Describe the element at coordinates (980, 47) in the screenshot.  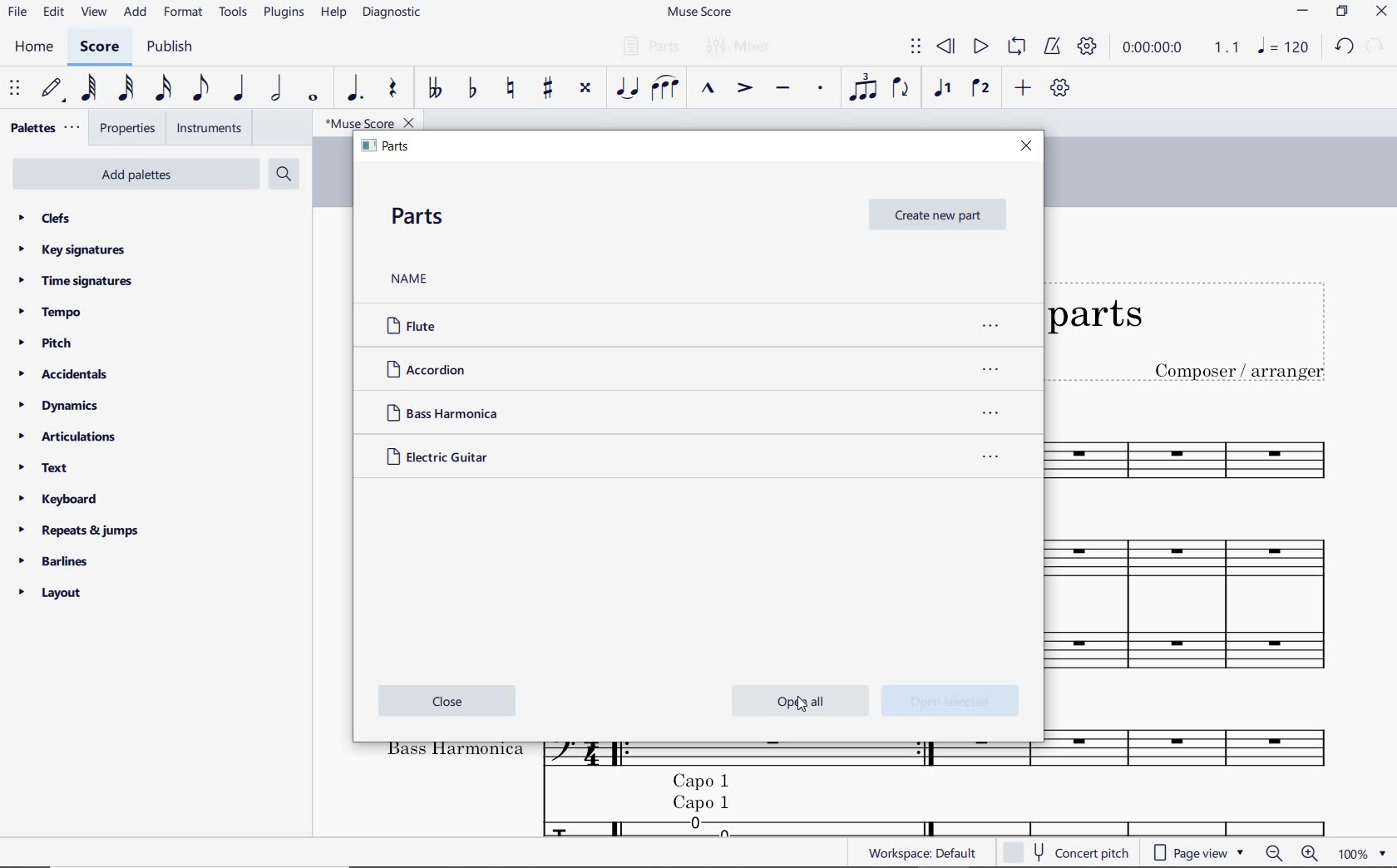
I see `play` at that location.